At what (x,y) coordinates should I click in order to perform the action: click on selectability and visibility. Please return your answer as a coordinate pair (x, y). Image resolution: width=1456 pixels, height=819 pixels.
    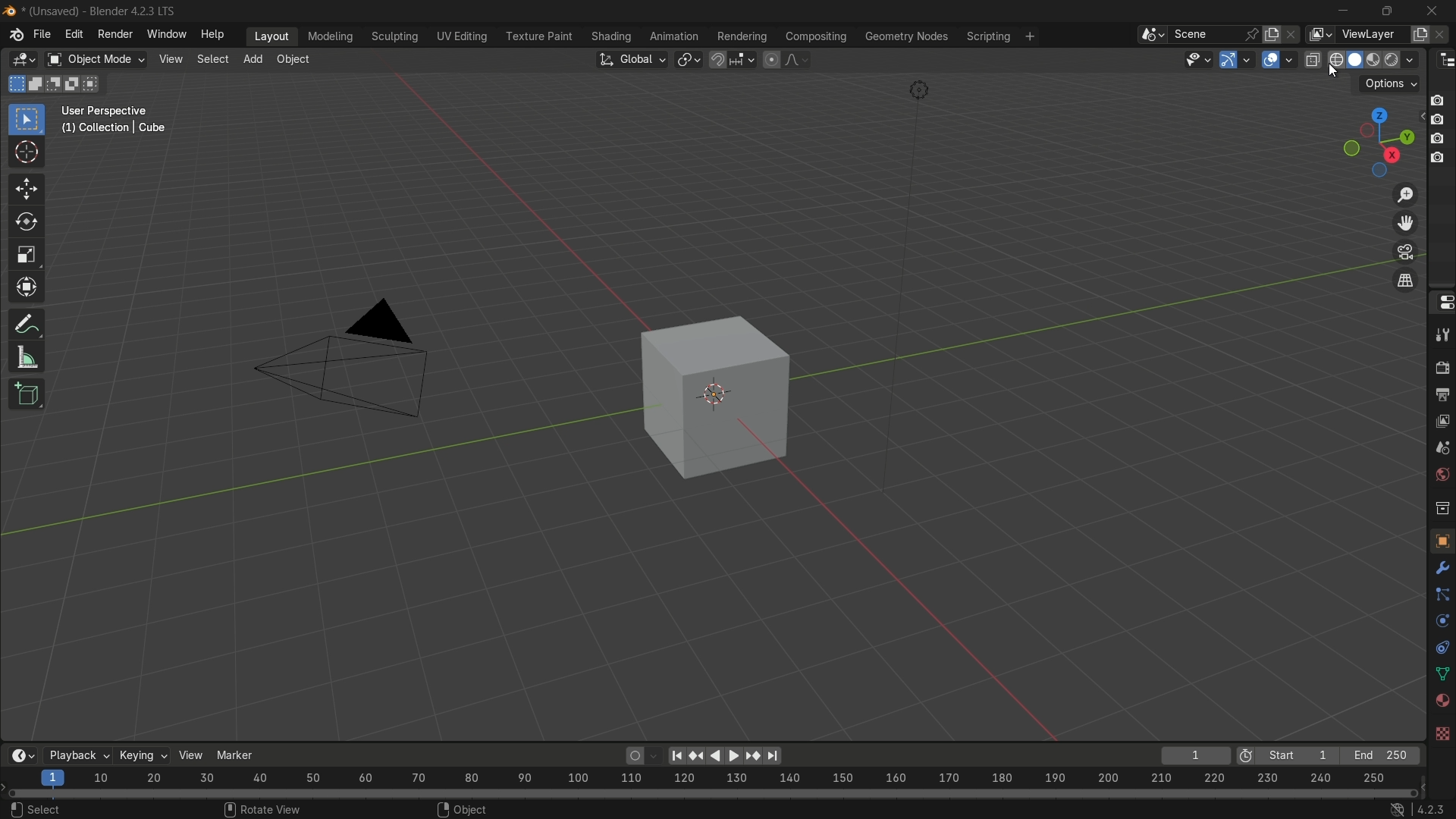
    Looking at the image, I should click on (1199, 60).